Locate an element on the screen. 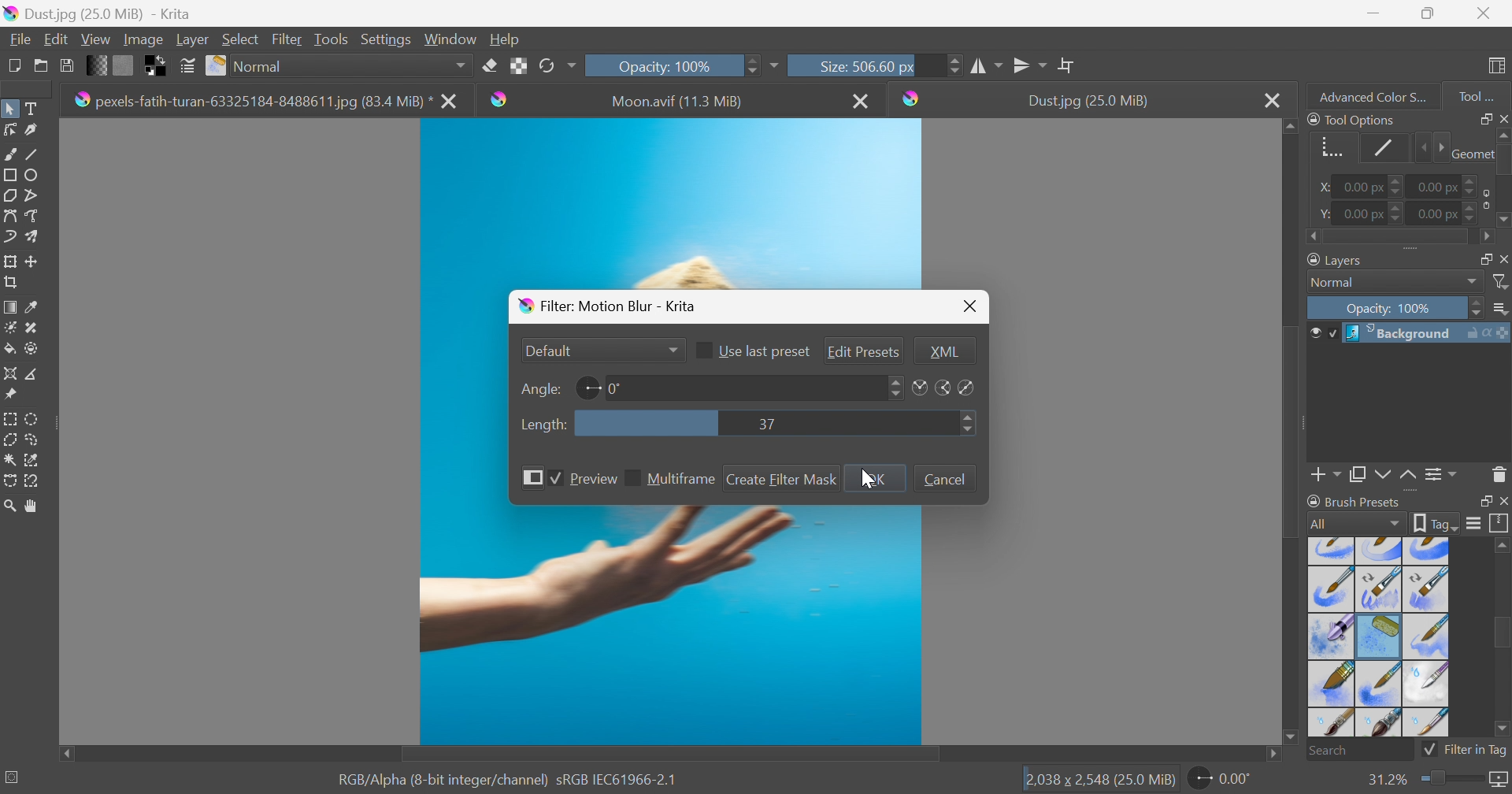 The width and height of the screenshot is (1512, 794). Fill patterns is located at coordinates (124, 64).